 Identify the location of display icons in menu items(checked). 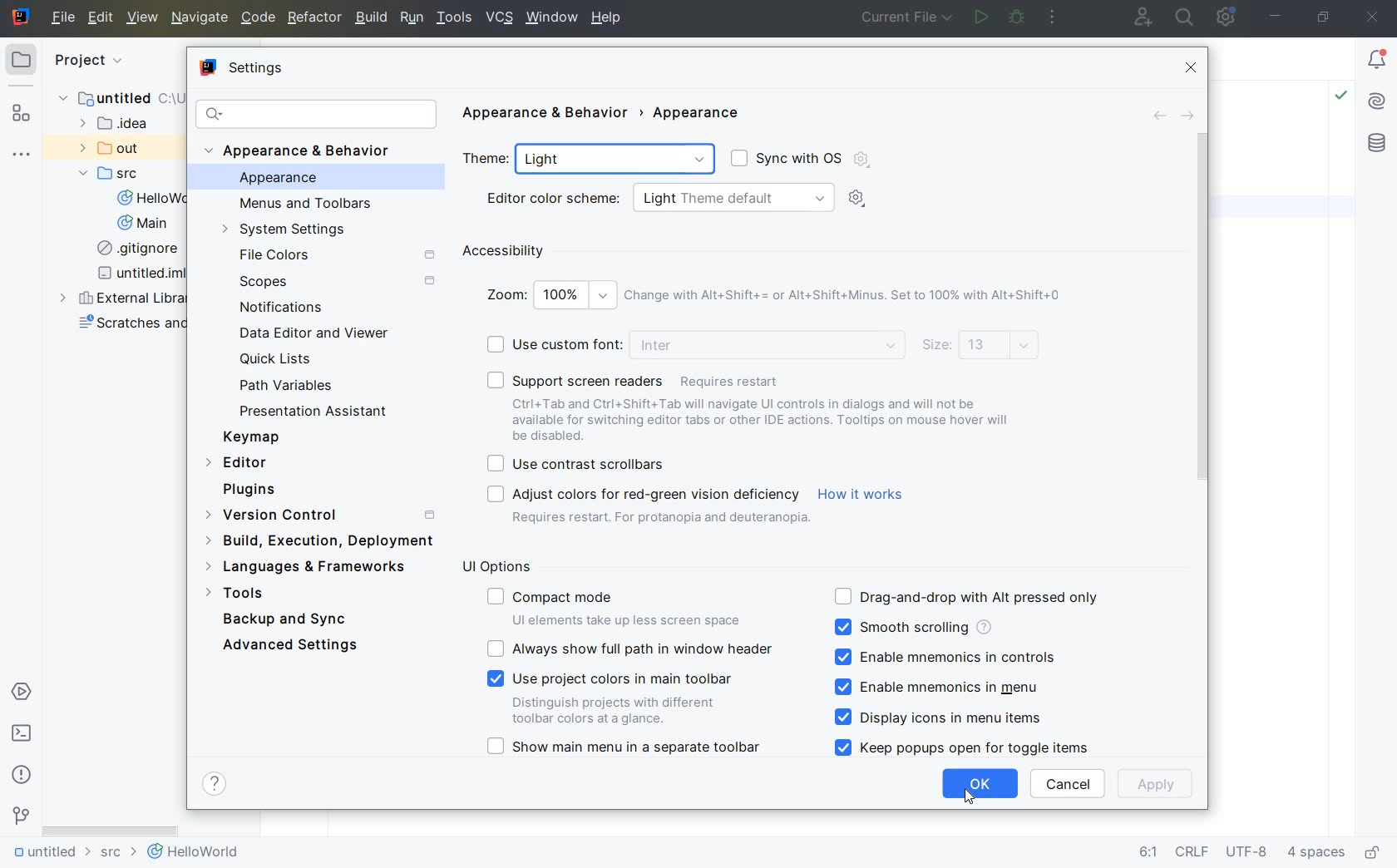
(941, 718).